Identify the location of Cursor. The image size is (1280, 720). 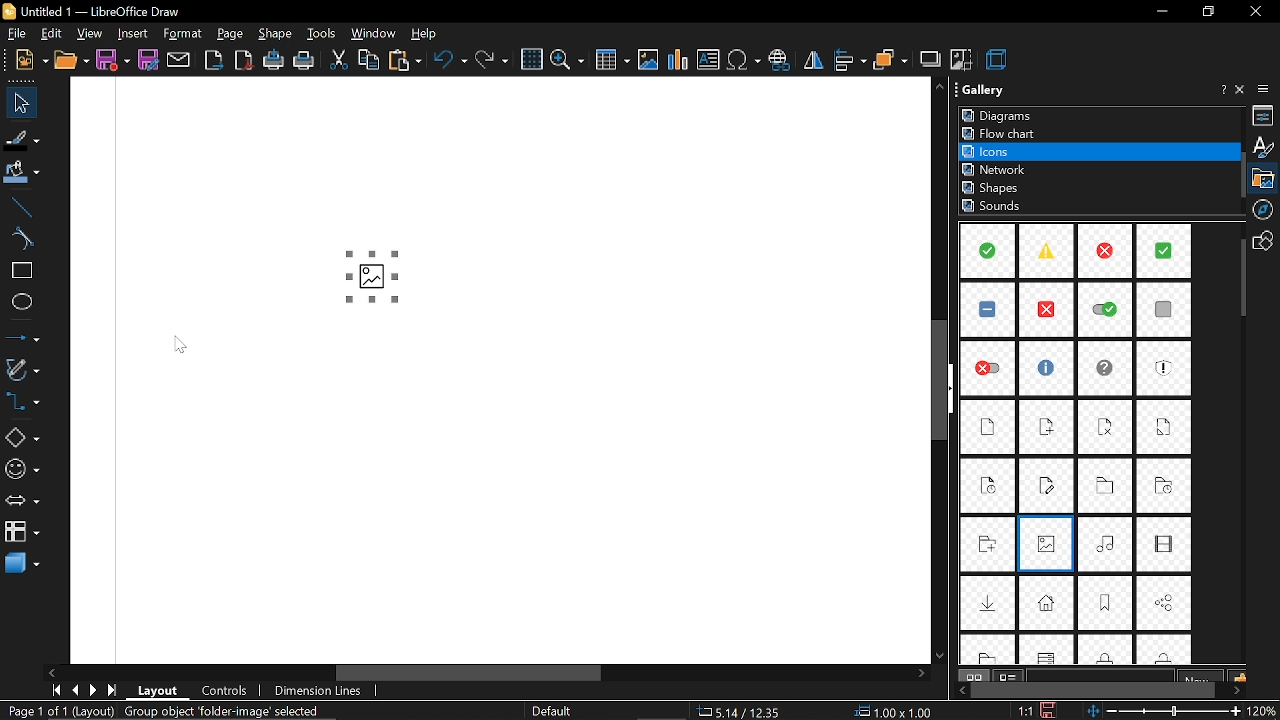
(183, 345).